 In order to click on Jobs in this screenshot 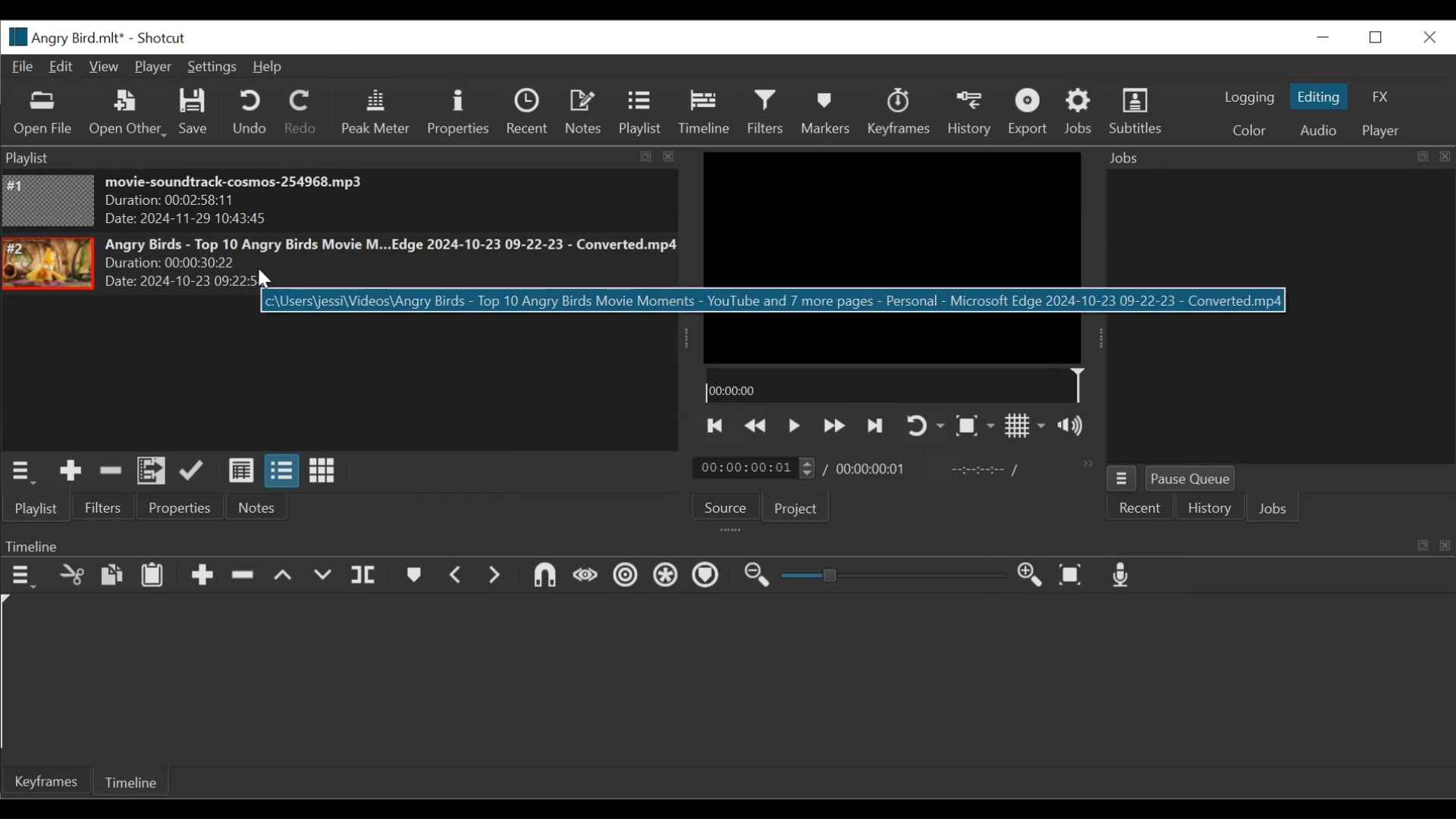, I will do `click(1080, 114)`.